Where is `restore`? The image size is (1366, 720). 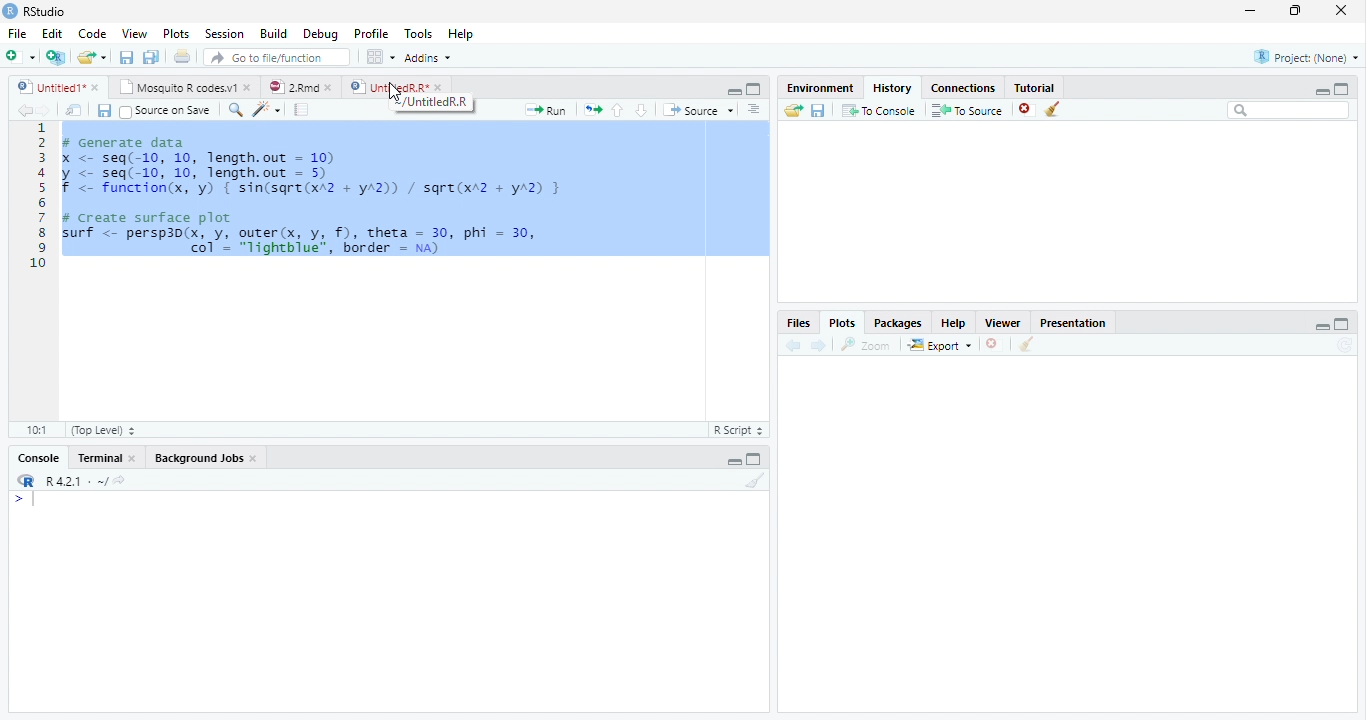
restore is located at coordinates (1295, 10).